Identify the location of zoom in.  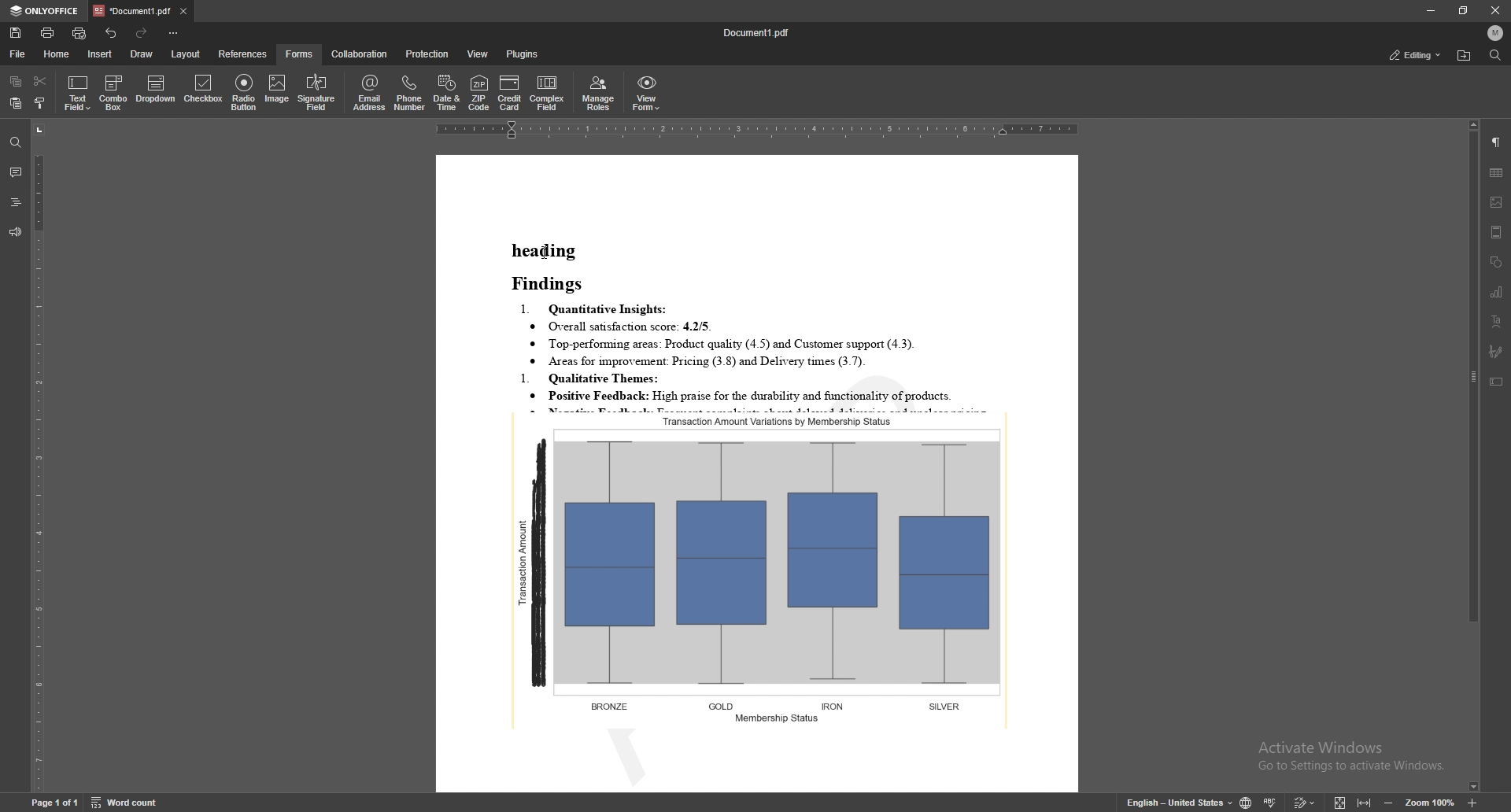
(1475, 803).